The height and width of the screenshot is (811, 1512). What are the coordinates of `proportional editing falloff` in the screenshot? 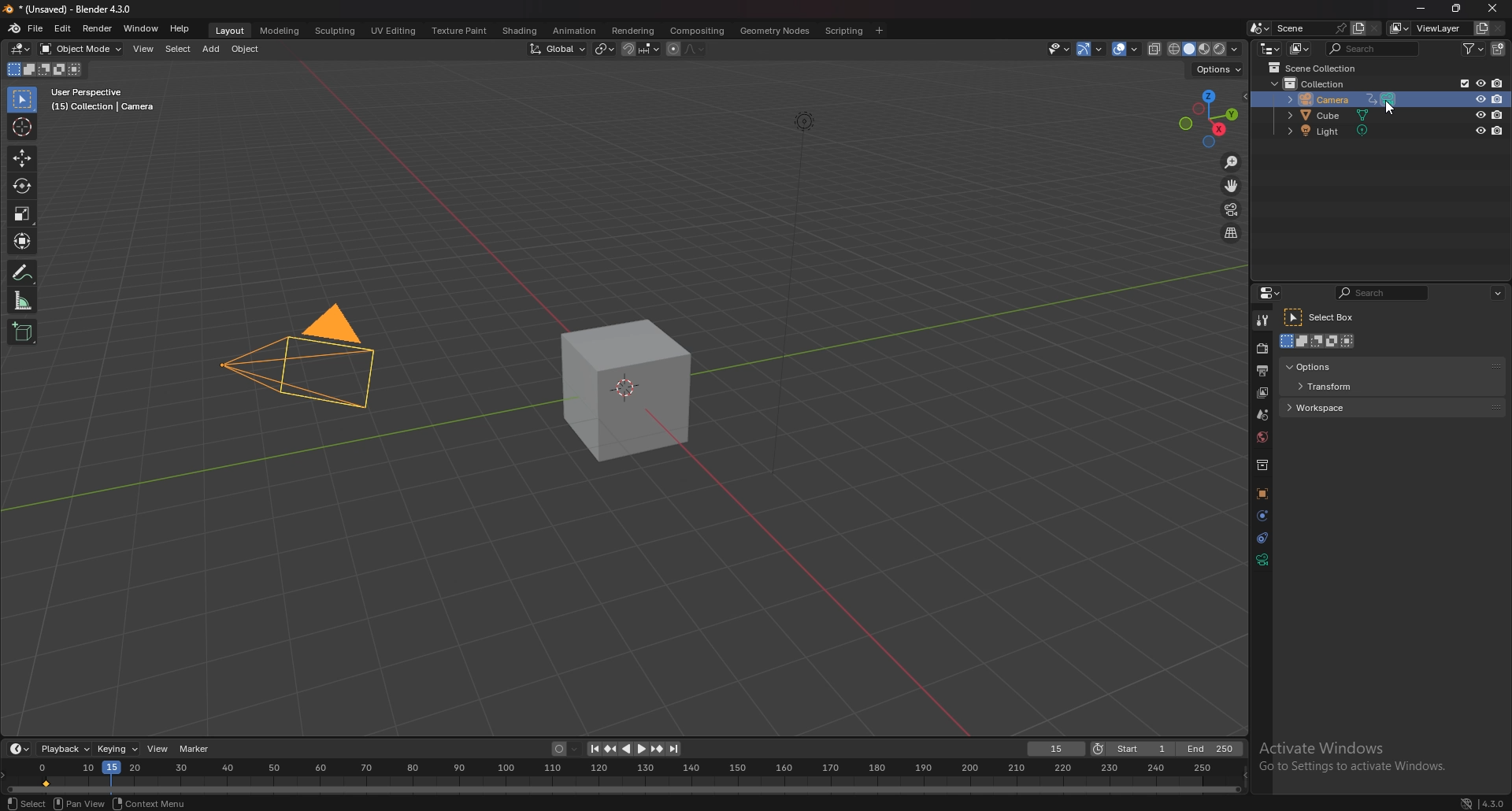 It's located at (698, 47).